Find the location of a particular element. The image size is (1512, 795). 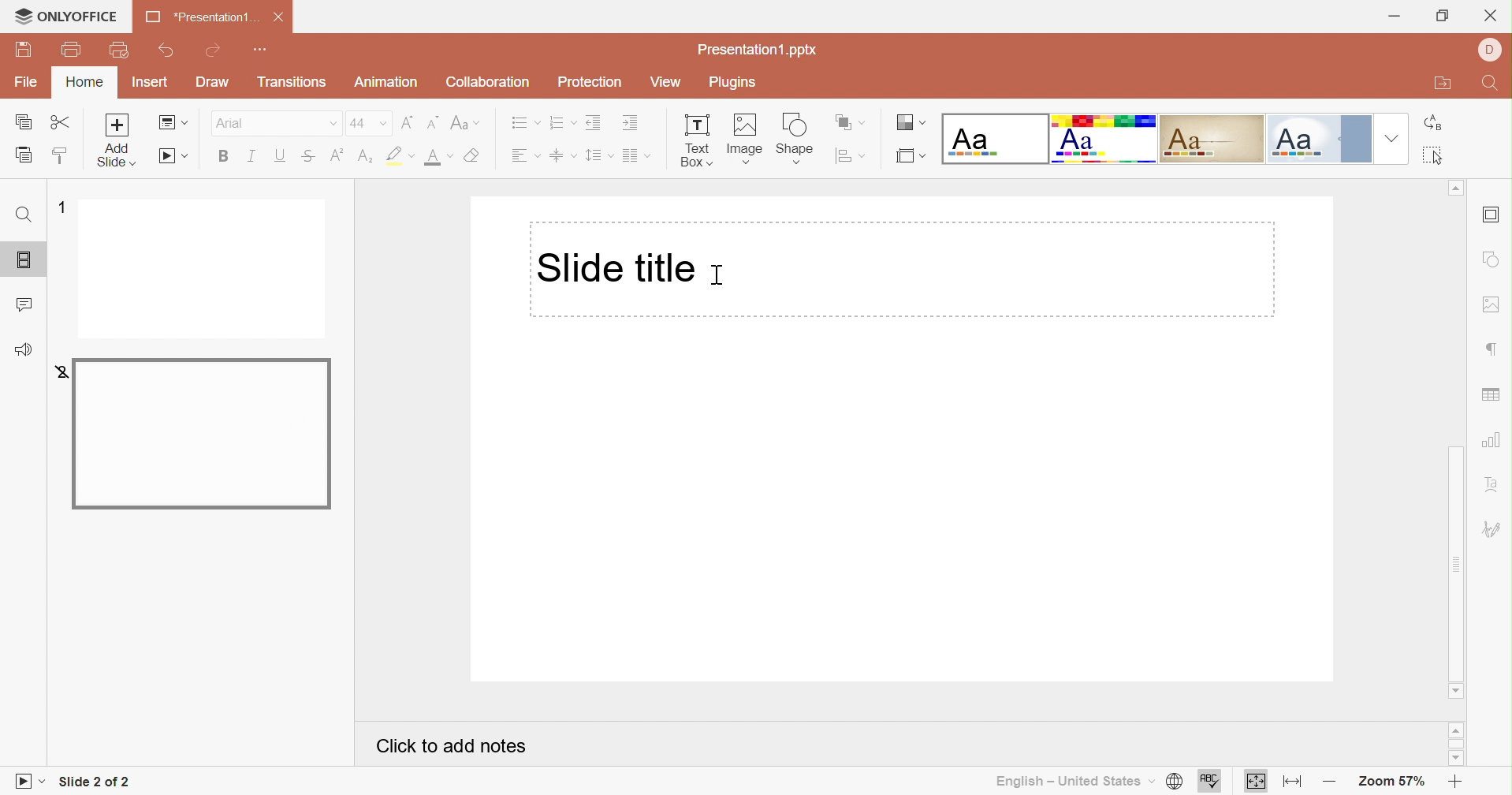

Scroll bar is located at coordinates (1455, 744).